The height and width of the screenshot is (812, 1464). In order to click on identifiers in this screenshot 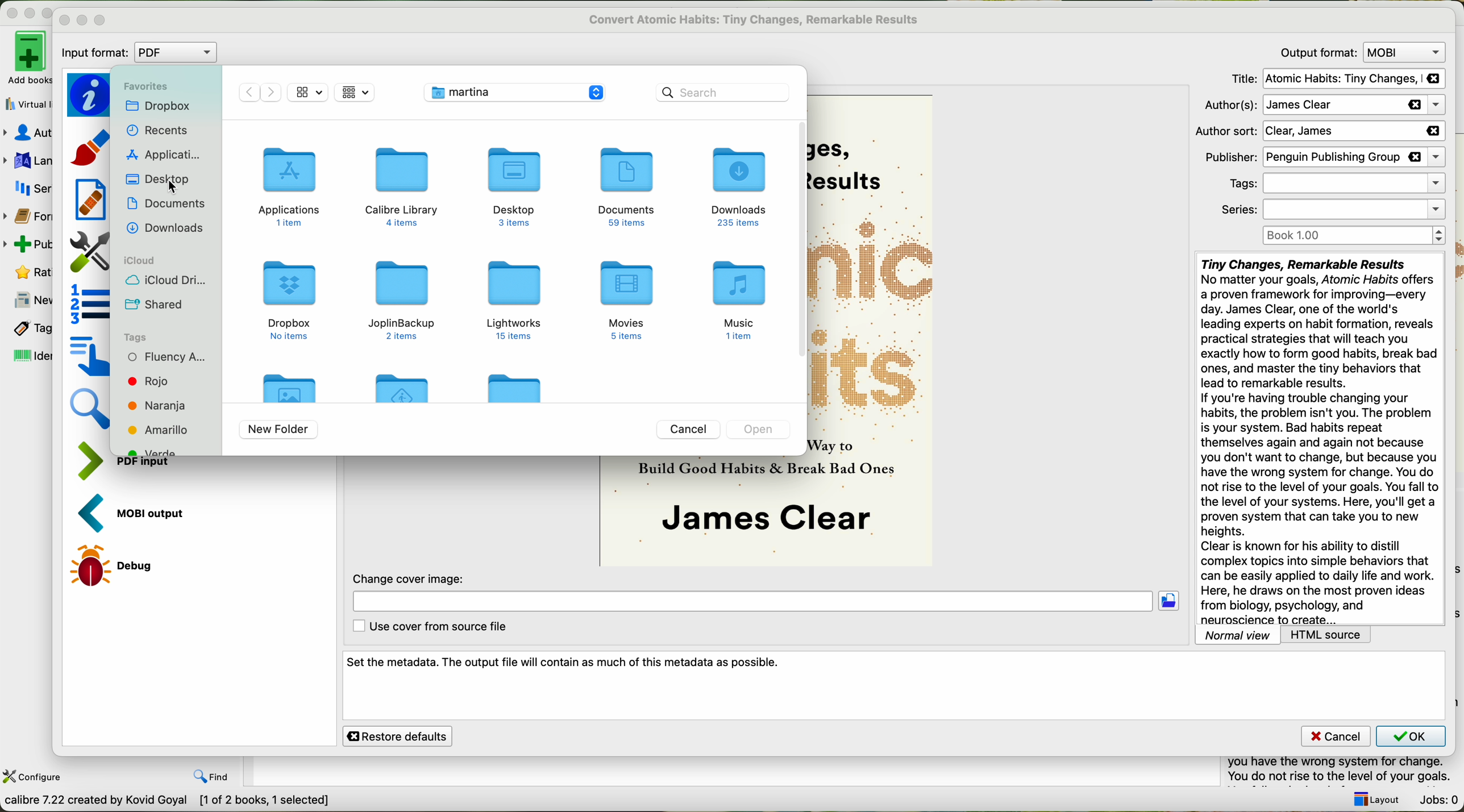, I will do `click(31, 355)`.